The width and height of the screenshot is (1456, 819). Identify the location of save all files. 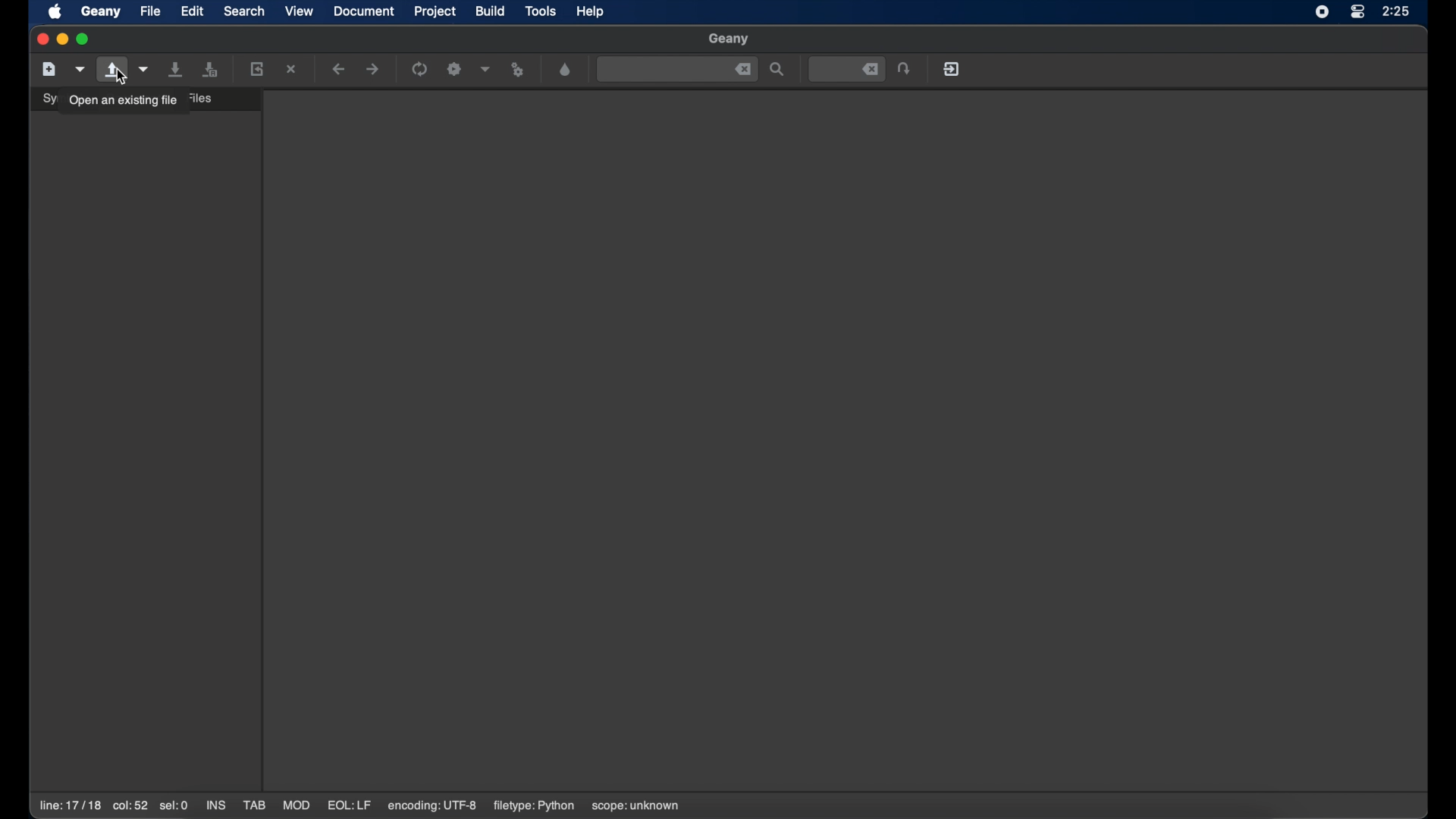
(211, 70).